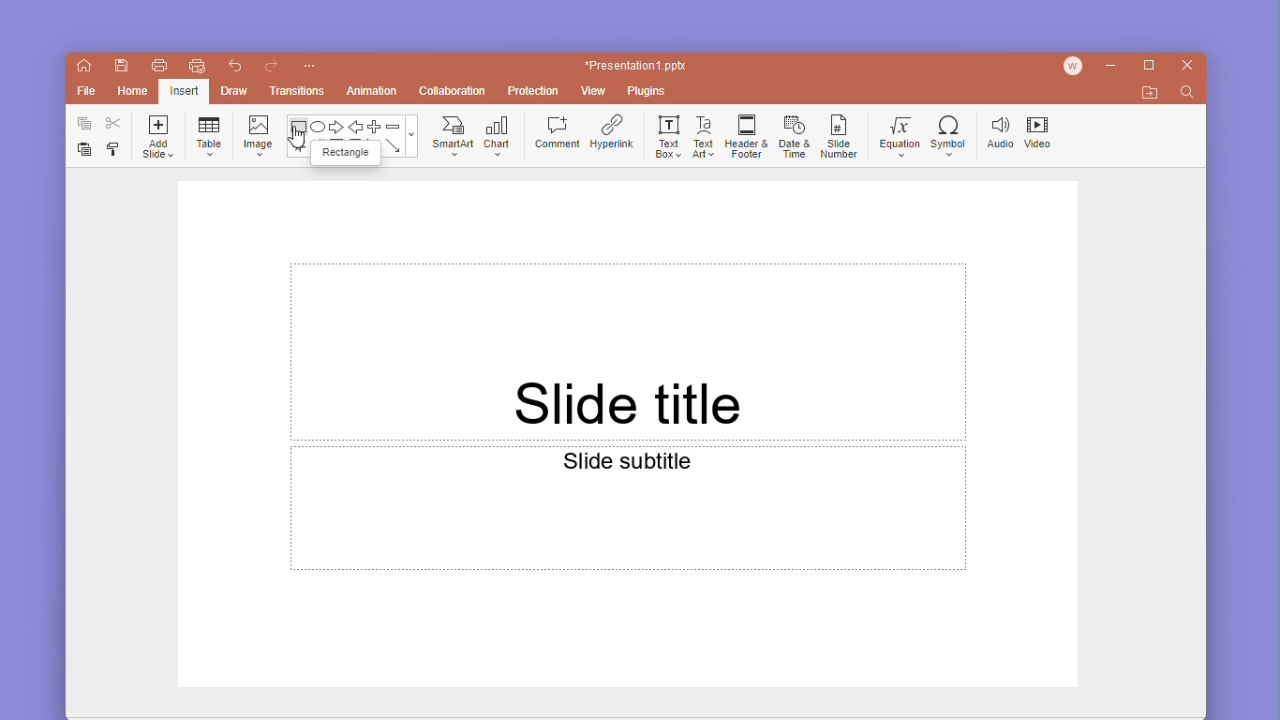 The width and height of the screenshot is (1280, 720). I want to click on Selected insert, so click(184, 91).